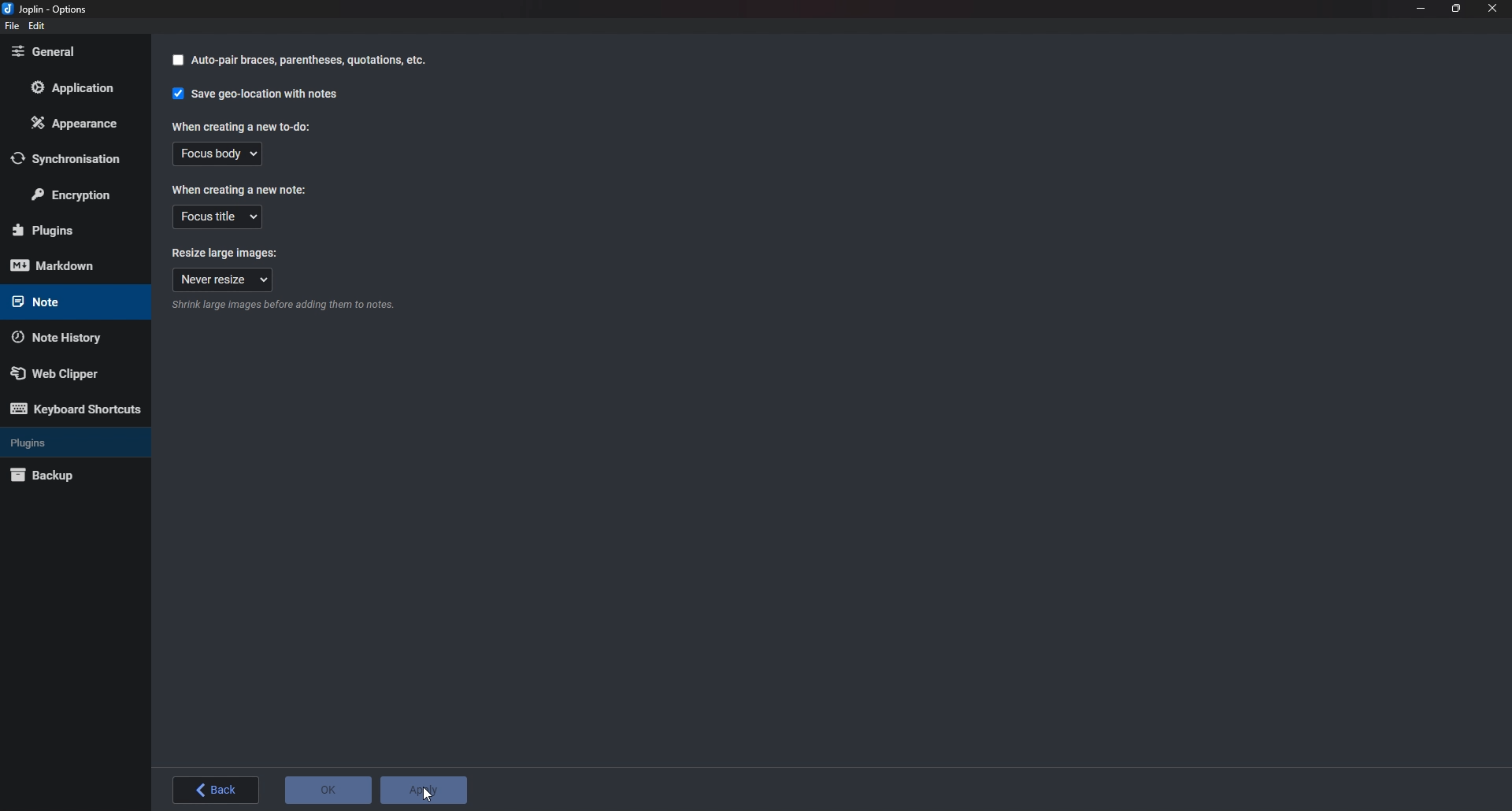 The width and height of the screenshot is (1512, 811). What do you see at coordinates (237, 125) in the screenshot?
I see `When creating a new to do` at bounding box center [237, 125].